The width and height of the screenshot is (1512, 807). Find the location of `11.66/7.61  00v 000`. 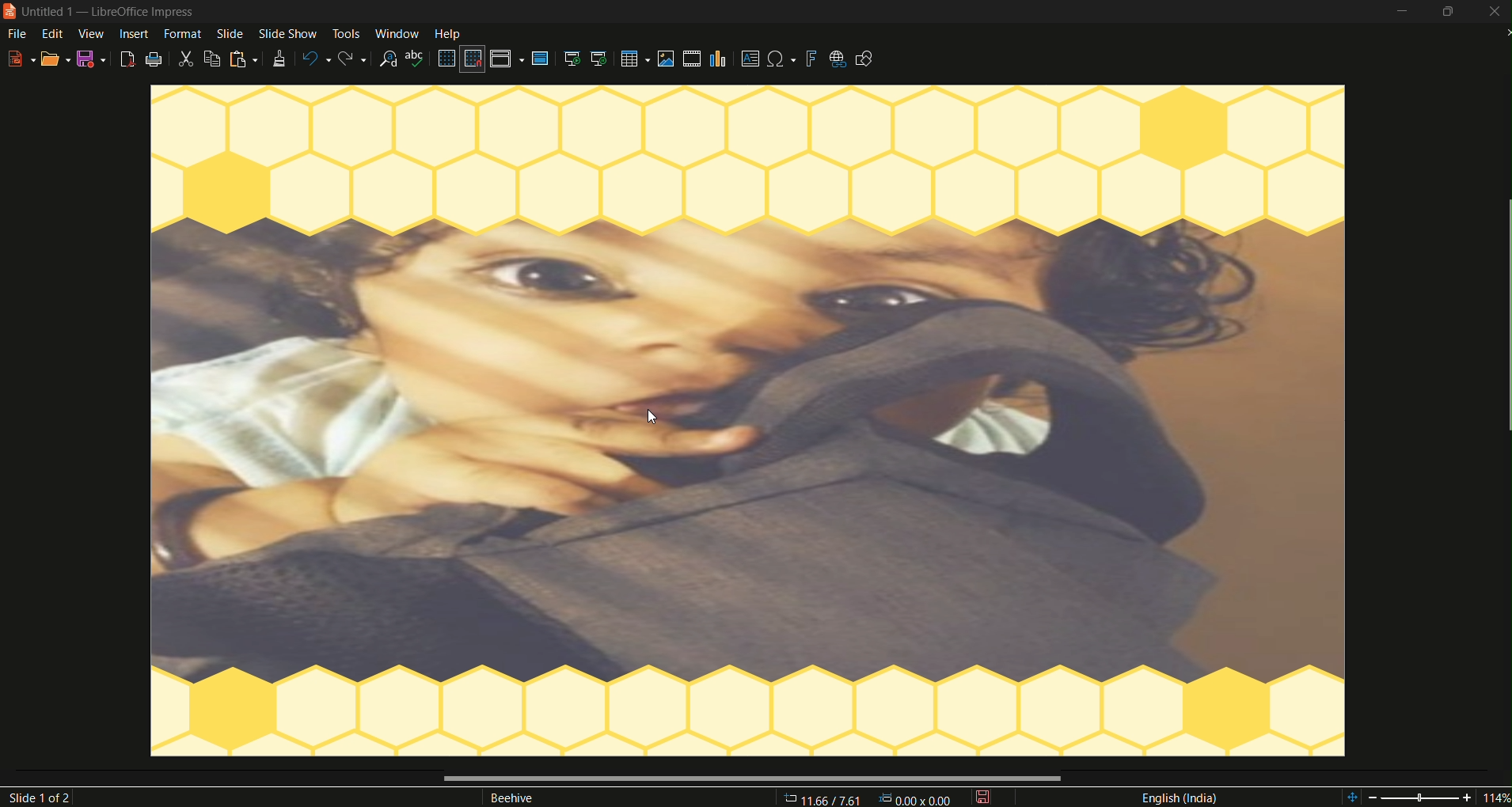

11.66/7.61  00v 000 is located at coordinates (864, 798).